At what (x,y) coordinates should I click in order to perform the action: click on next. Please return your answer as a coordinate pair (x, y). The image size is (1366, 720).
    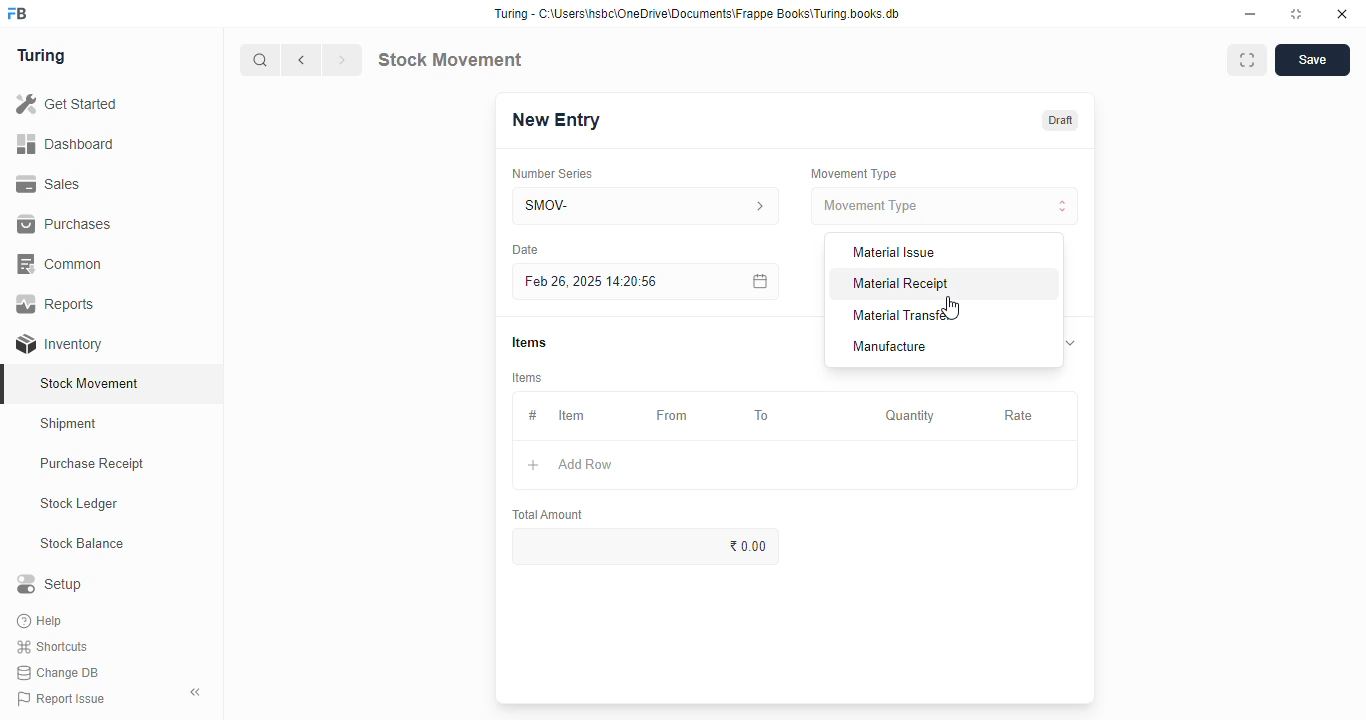
    Looking at the image, I should click on (342, 60).